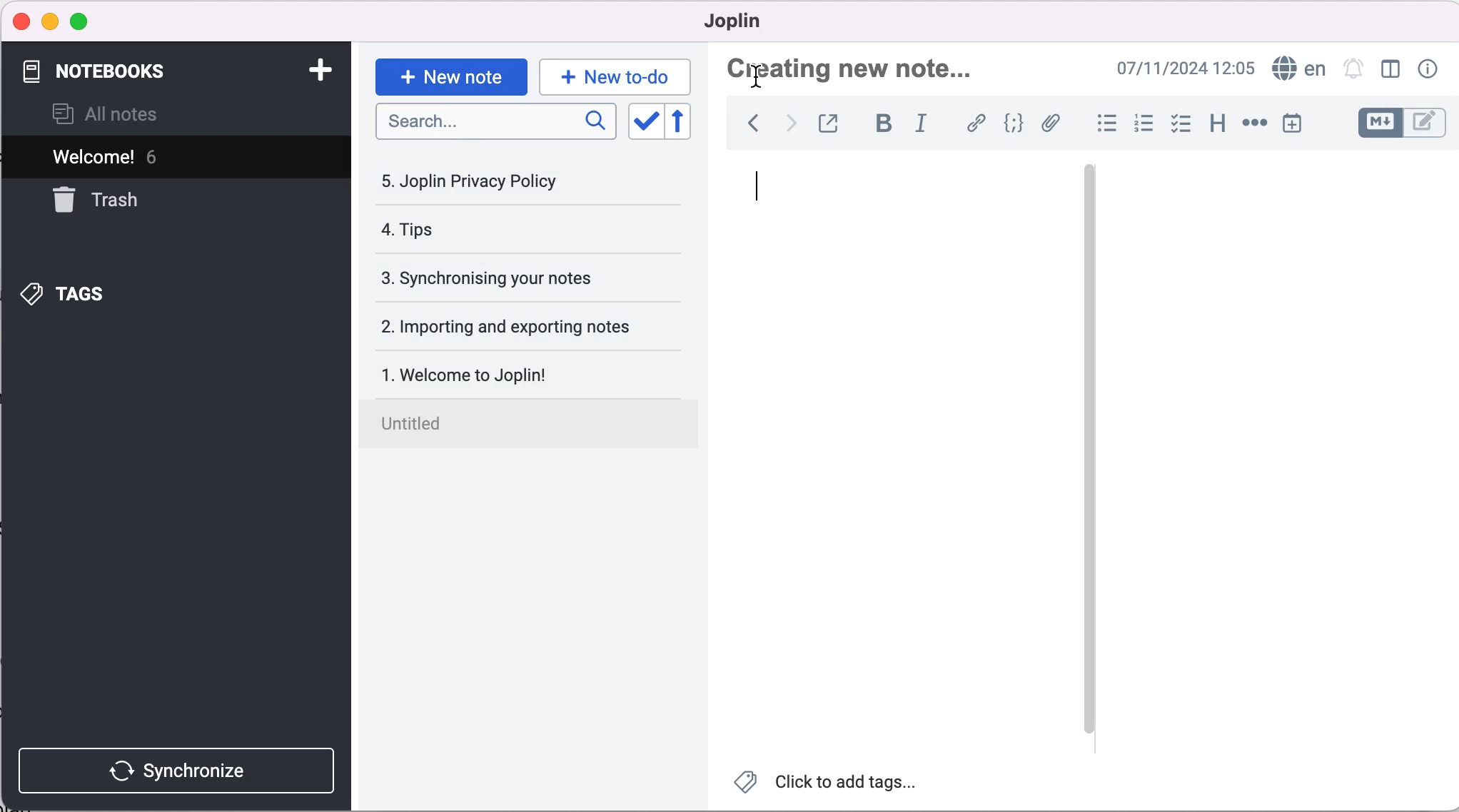  Describe the element at coordinates (1351, 71) in the screenshot. I see `set alarm` at that location.